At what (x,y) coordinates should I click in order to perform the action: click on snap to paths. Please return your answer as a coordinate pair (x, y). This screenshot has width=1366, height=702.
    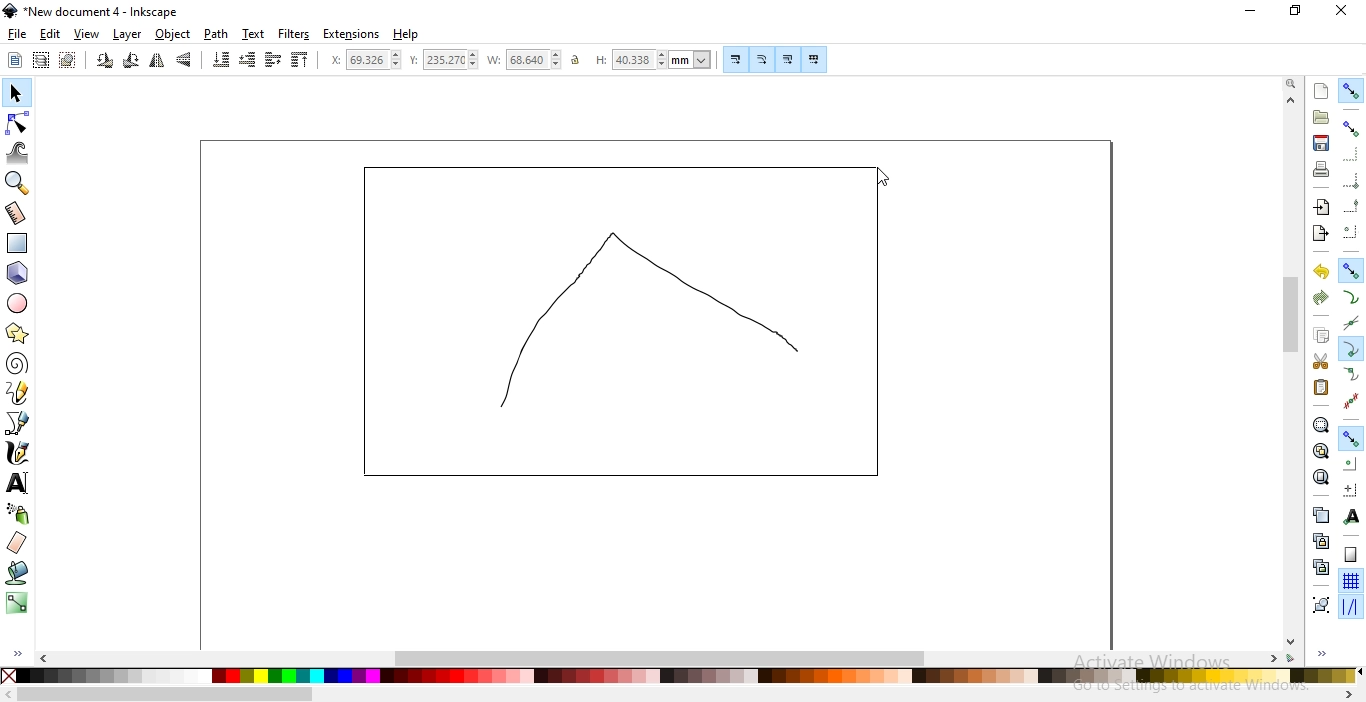
    Looking at the image, I should click on (1350, 297).